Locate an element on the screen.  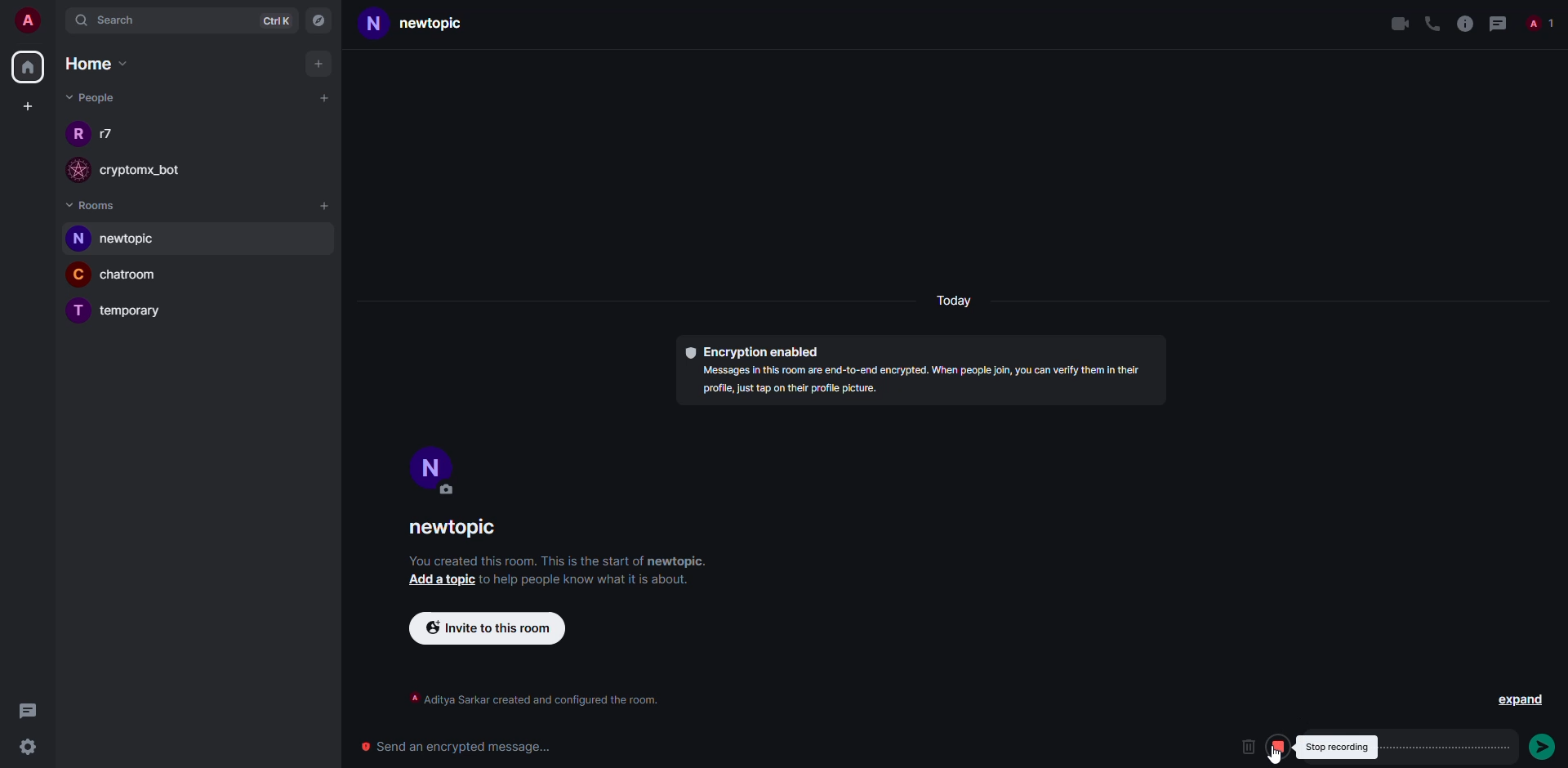
search is located at coordinates (110, 21).